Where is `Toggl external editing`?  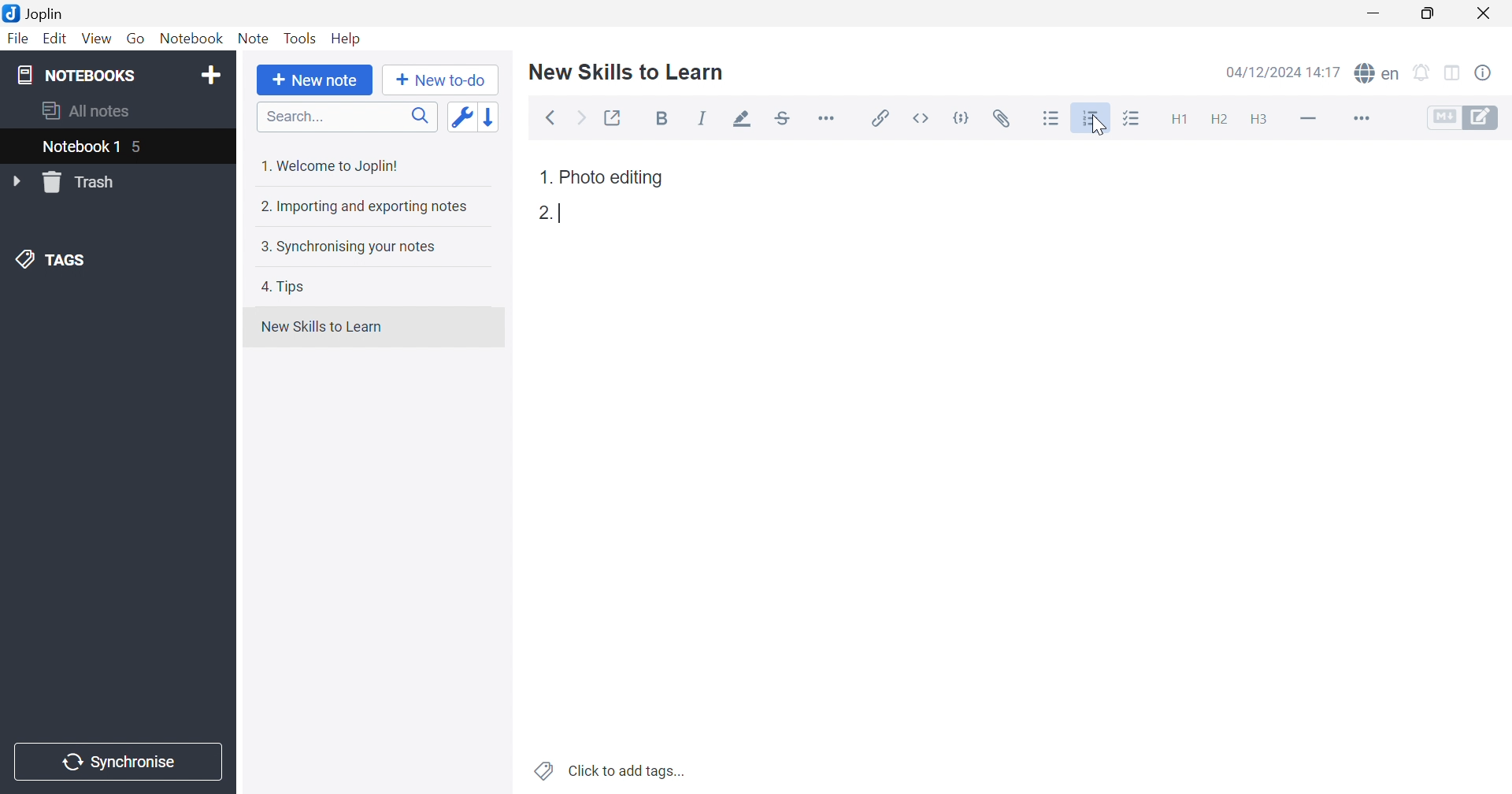 Toggl external editing is located at coordinates (614, 118).